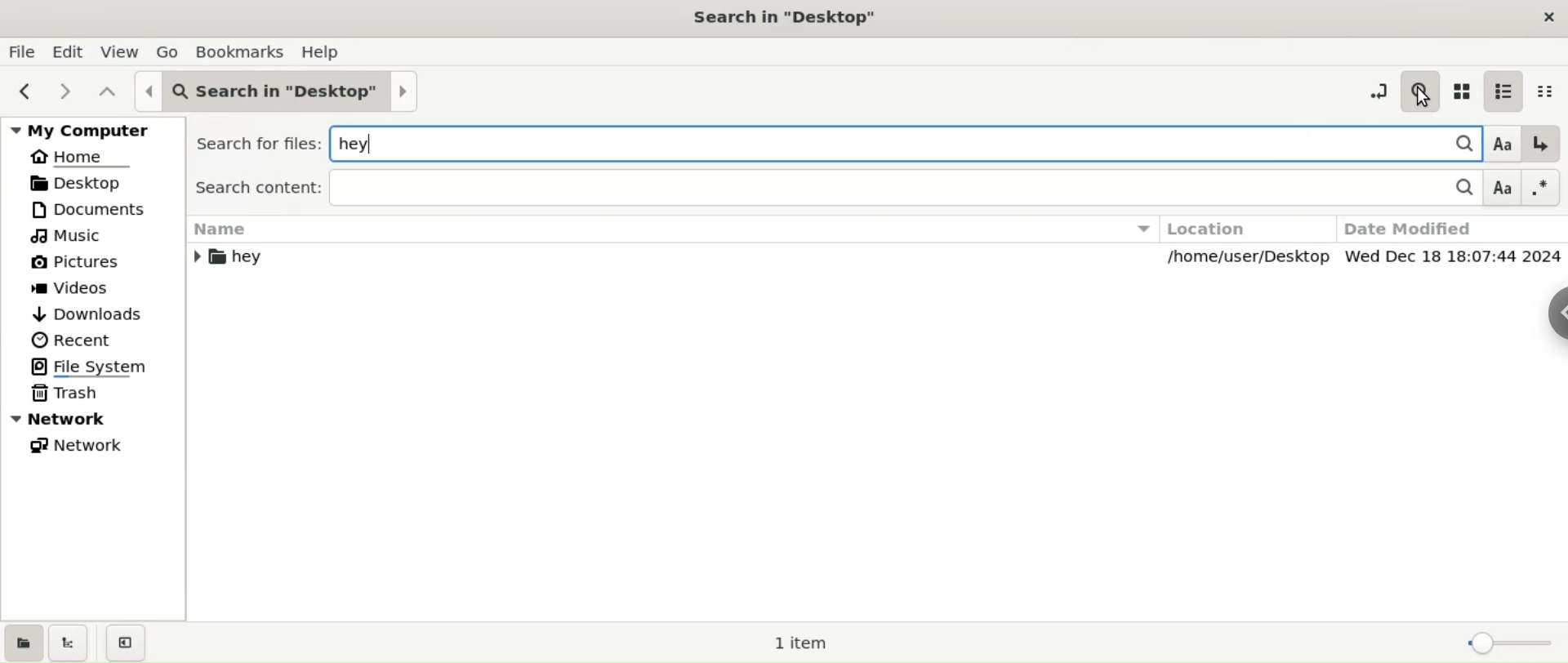  What do you see at coordinates (93, 368) in the screenshot?
I see `file system` at bounding box center [93, 368].